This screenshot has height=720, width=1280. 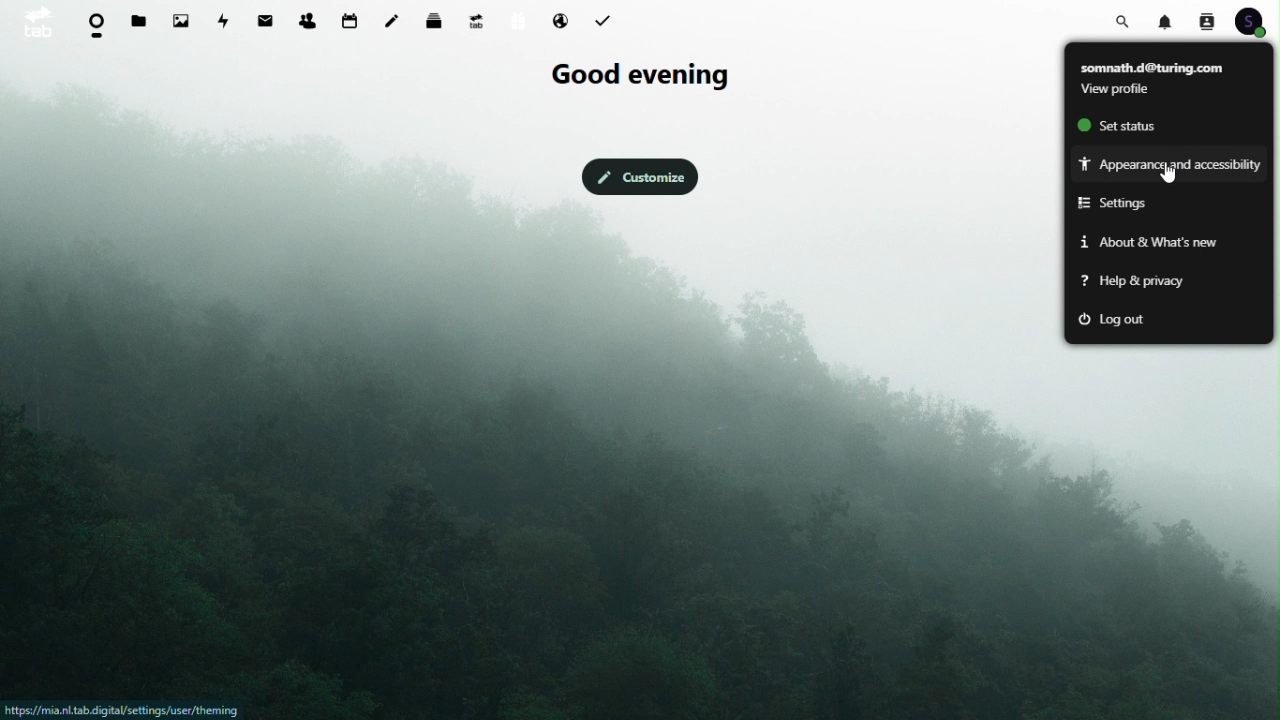 What do you see at coordinates (637, 76) in the screenshot?
I see `Good evening` at bounding box center [637, 76].